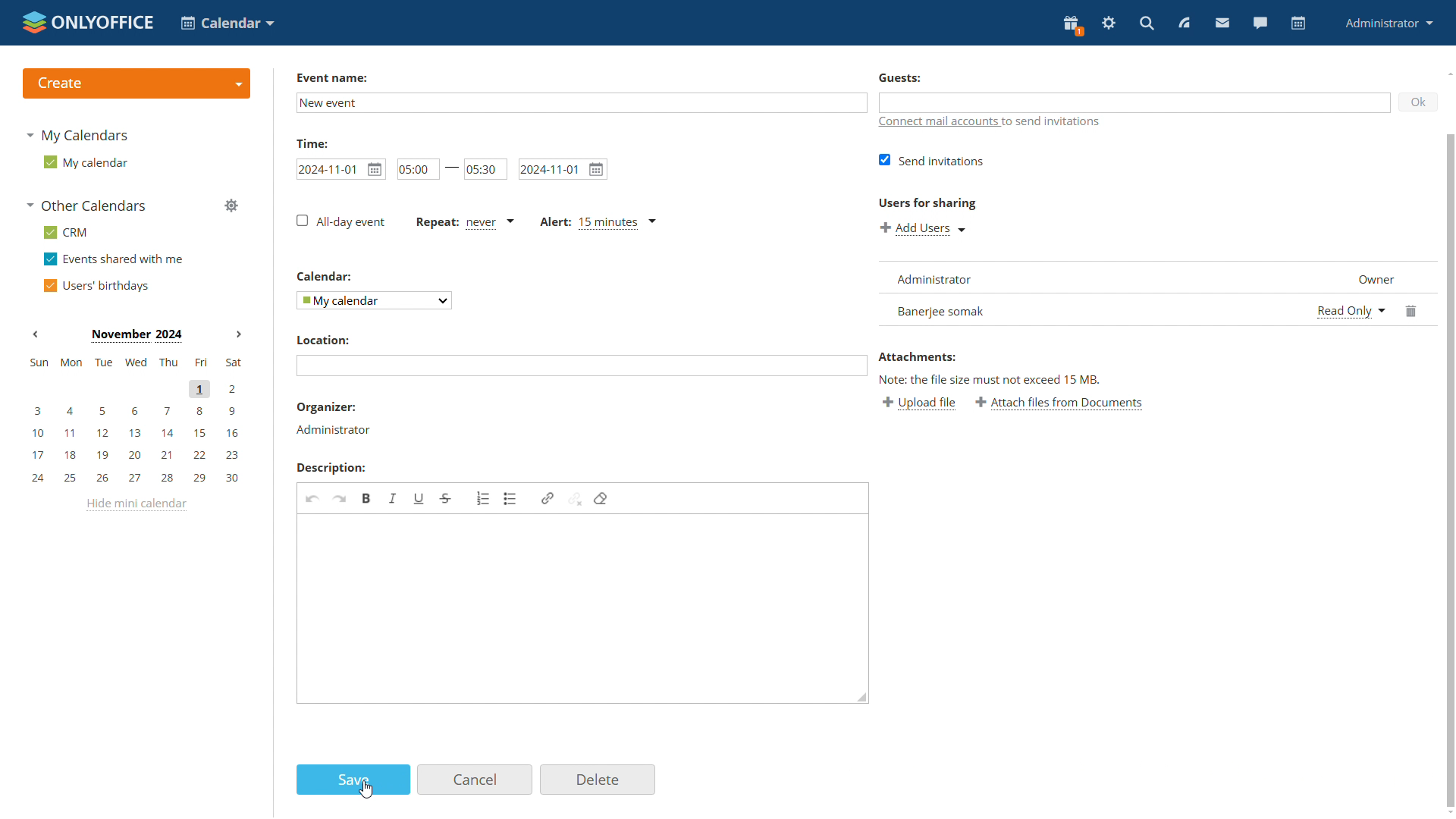 This screenshot has height=819, width=1456. I want to click on Set user permission, so click(1350, 309).